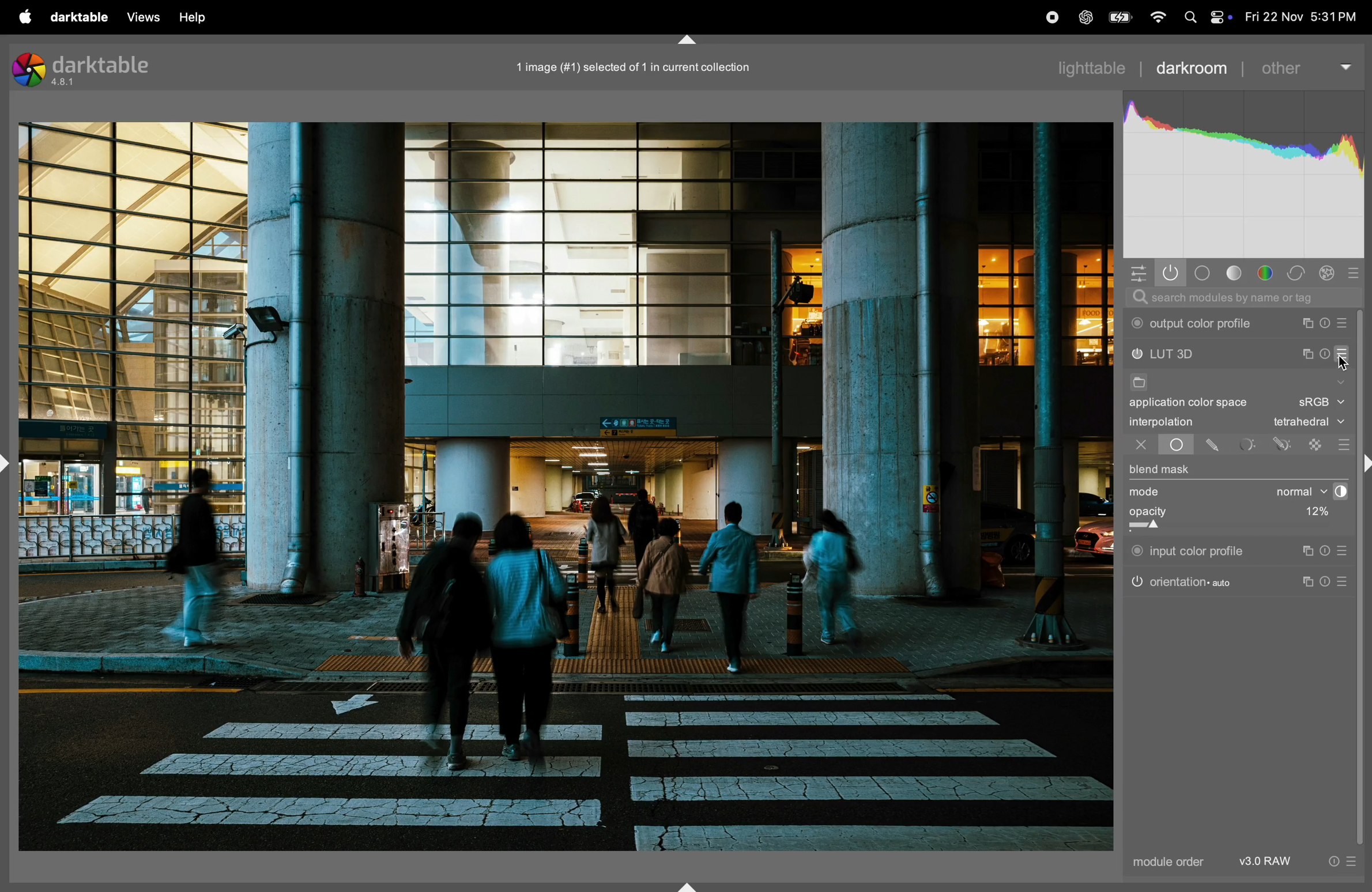 This screenshot has height=892, width=1372. Describe the element at coordinates (1343, 444) in the screenshot. I see `presets` at that location.